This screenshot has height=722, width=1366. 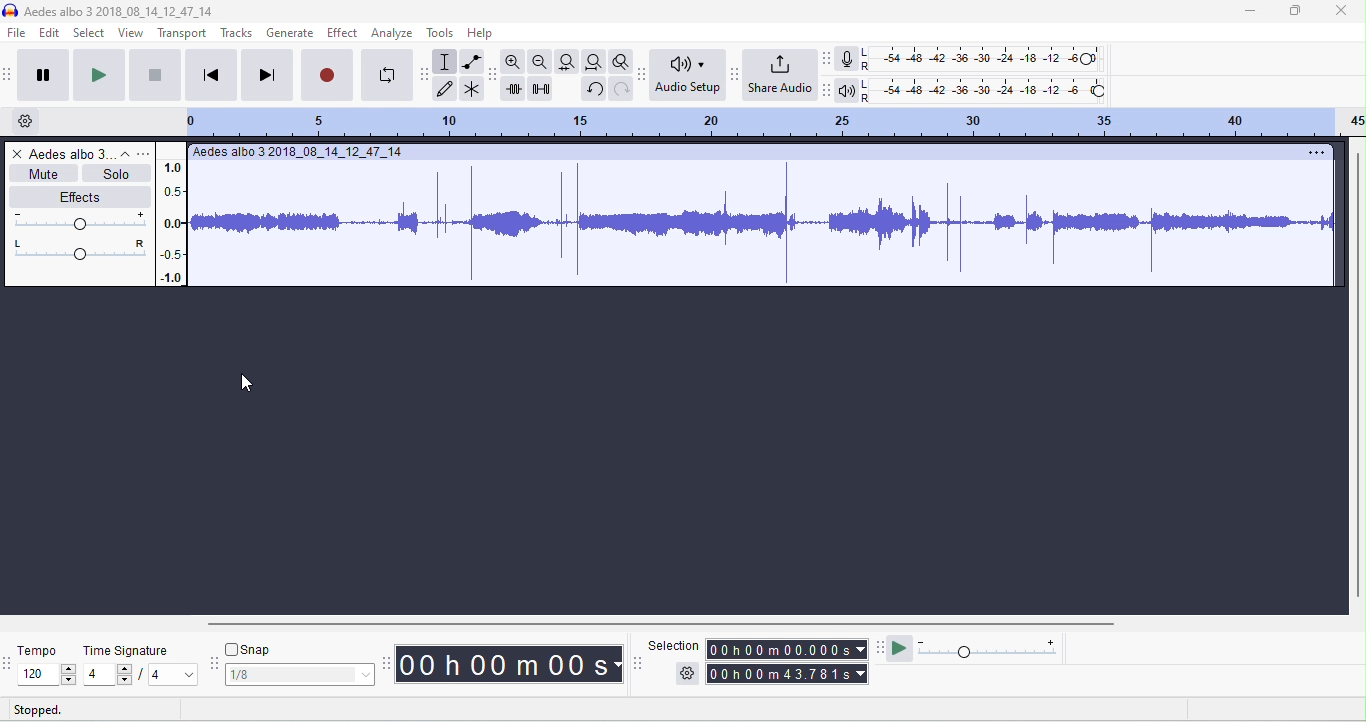 I want to click on toggle zoom, so click(x=621, y=62).